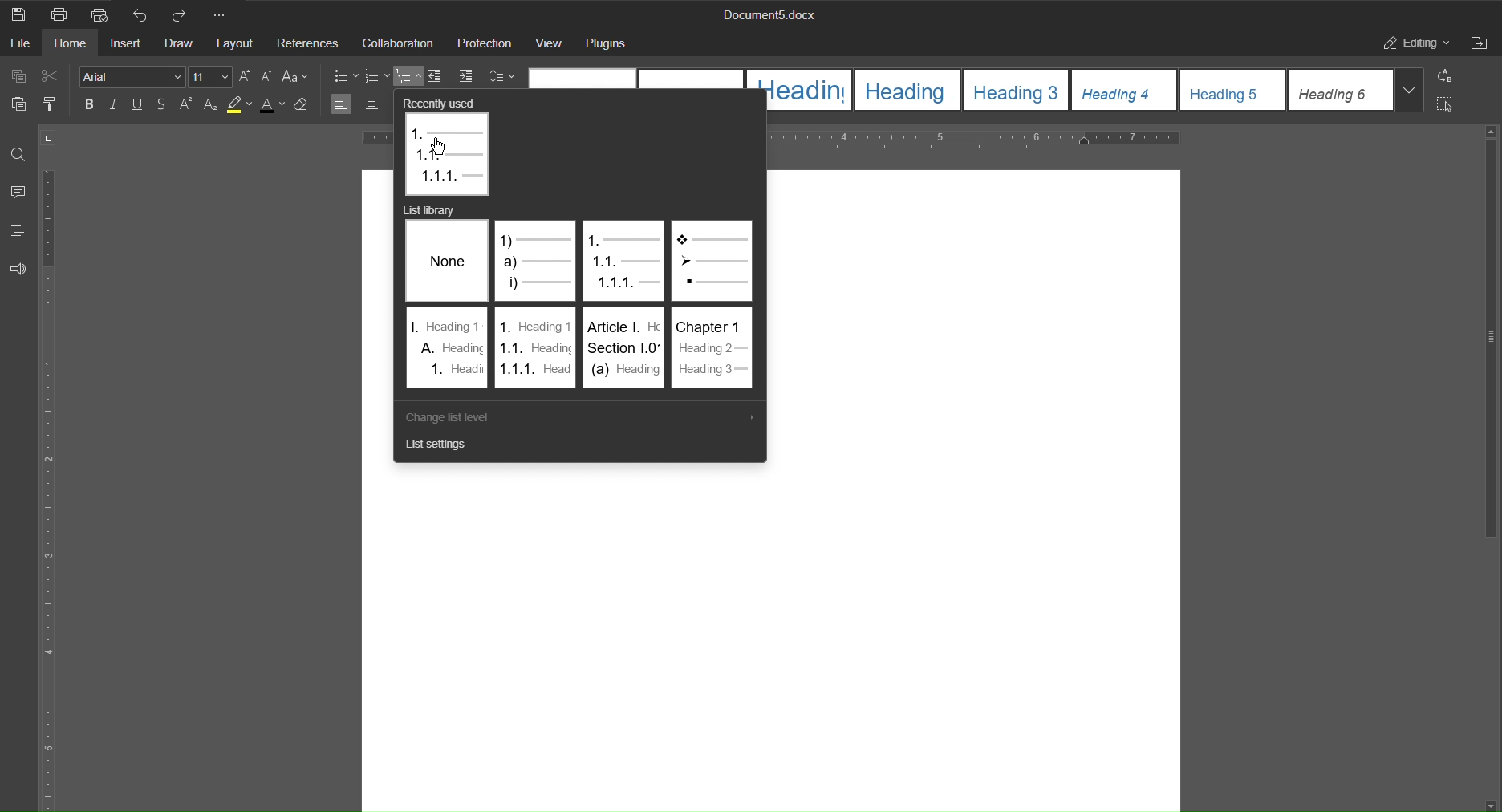 This screenshot has width=1502, height=812. I want to click on Headings, so click(17, 229).